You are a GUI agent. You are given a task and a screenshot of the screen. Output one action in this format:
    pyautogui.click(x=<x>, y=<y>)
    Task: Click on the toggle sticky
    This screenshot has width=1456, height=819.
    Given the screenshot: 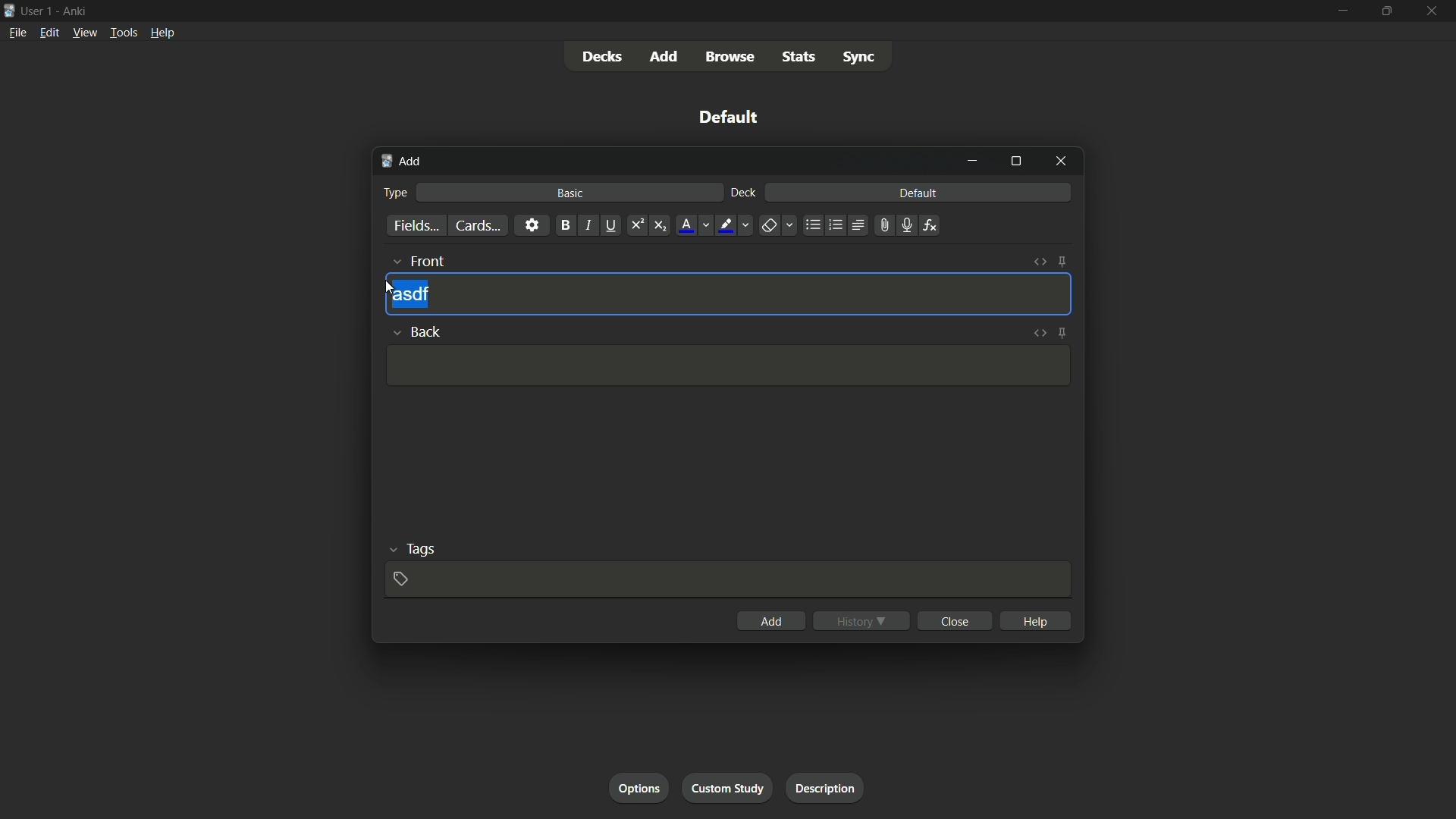 What is the action you would take?
    pyautogui.click(x=1062, y=331)
    